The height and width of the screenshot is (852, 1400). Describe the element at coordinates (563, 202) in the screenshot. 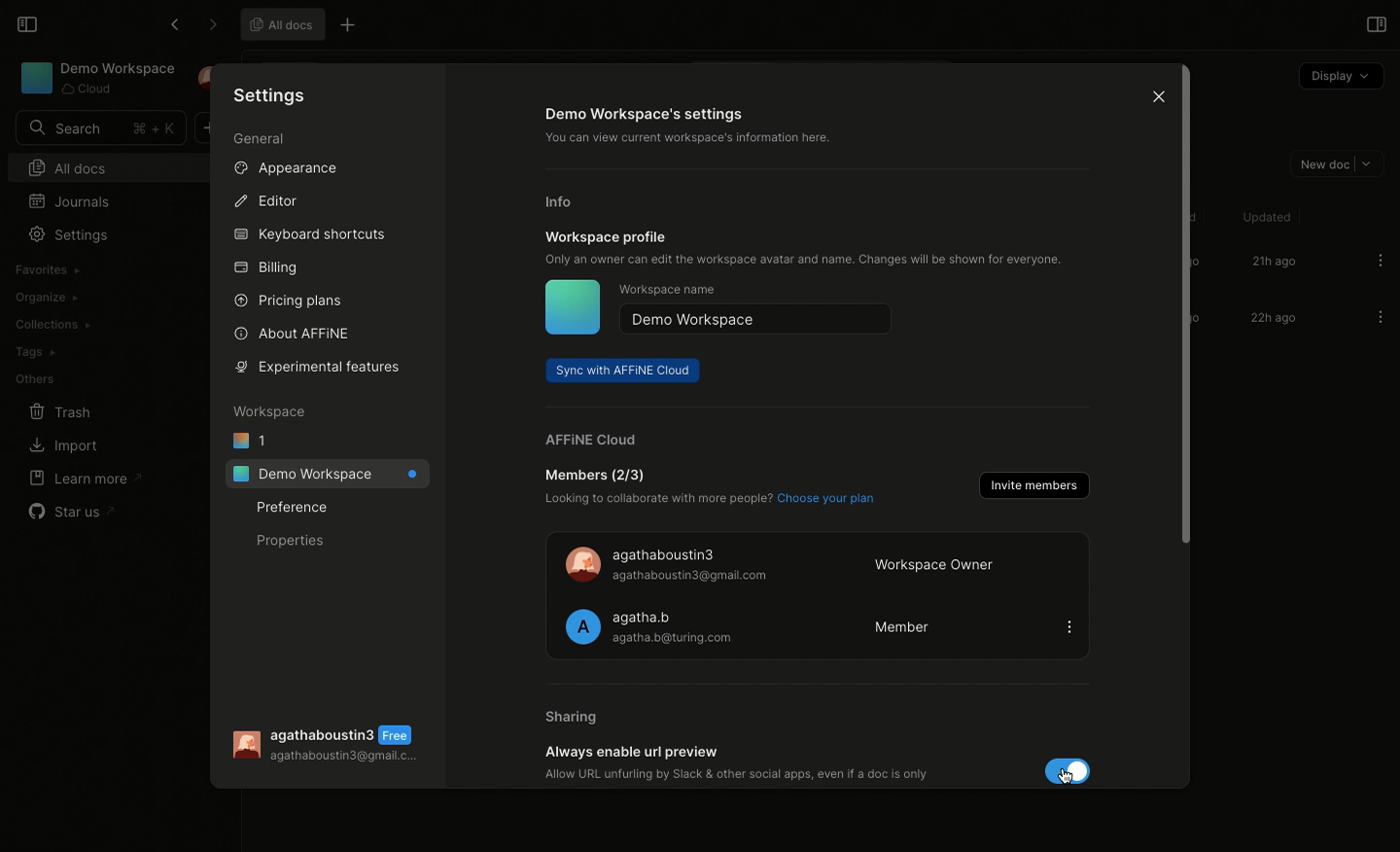

I see `Info` at that location.